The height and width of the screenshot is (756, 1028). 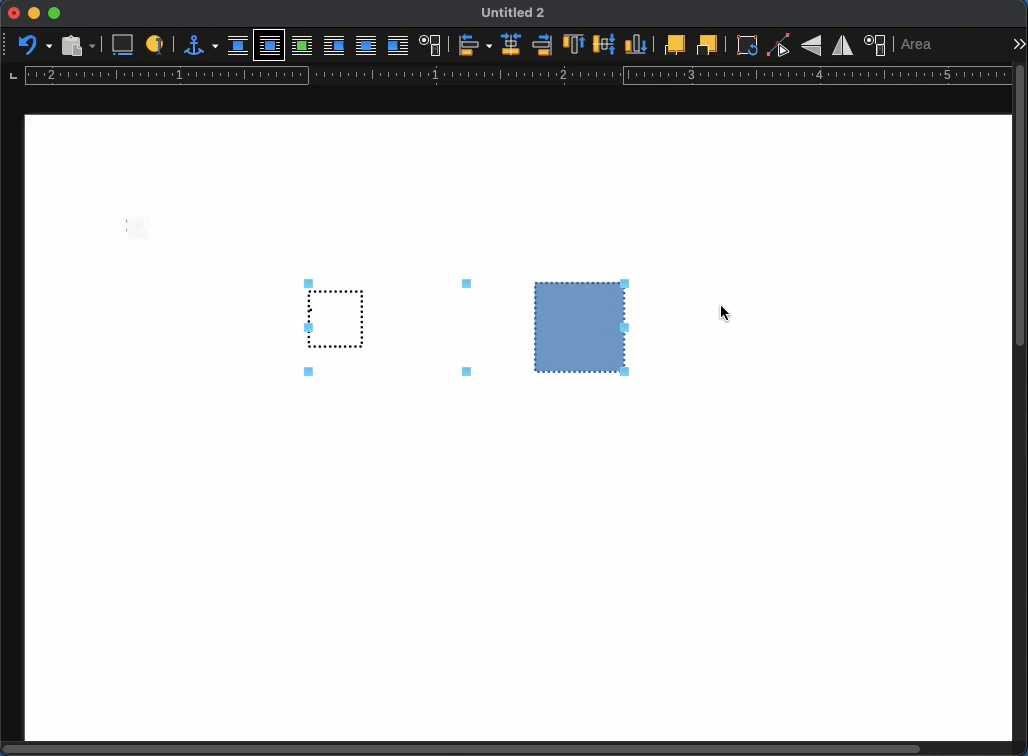 What do you see at coordinates (366, 47) in the screenshot?
I see `through` at bounding box center [366, 47].